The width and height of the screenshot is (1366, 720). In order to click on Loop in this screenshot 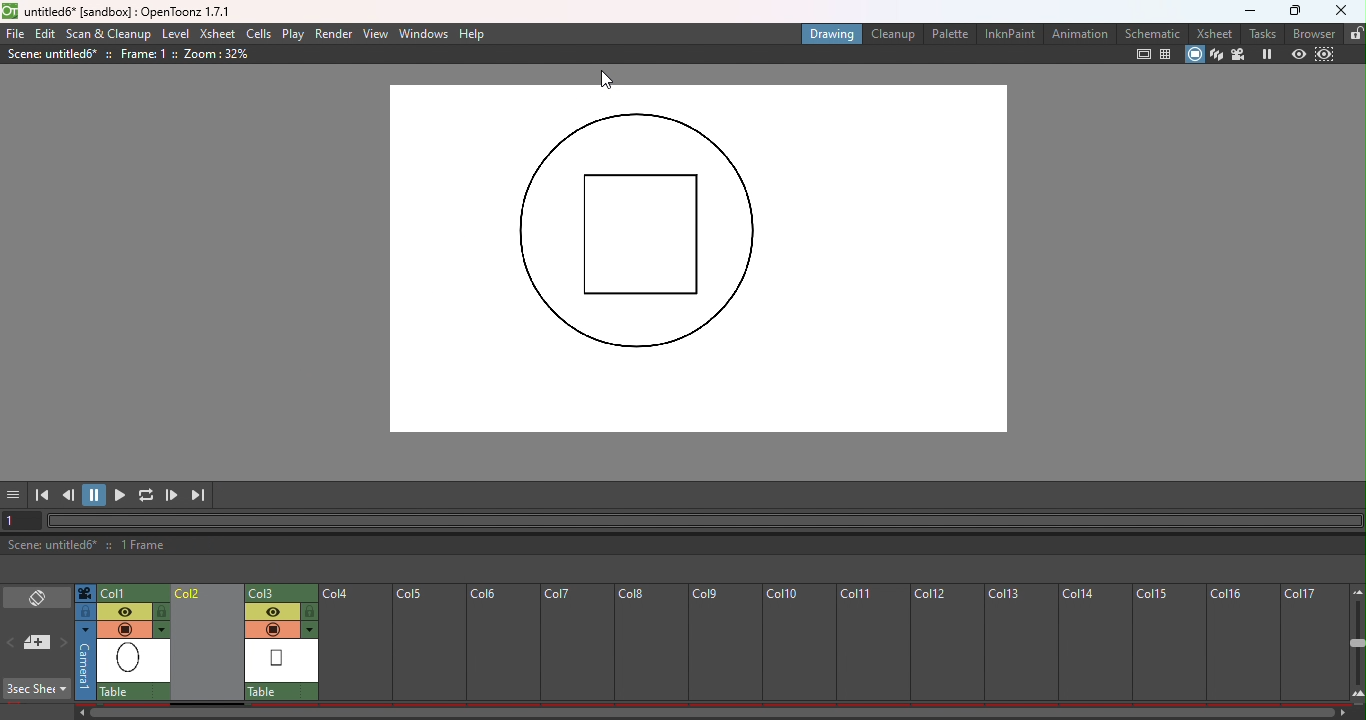, I will do `click(146, 495)`.